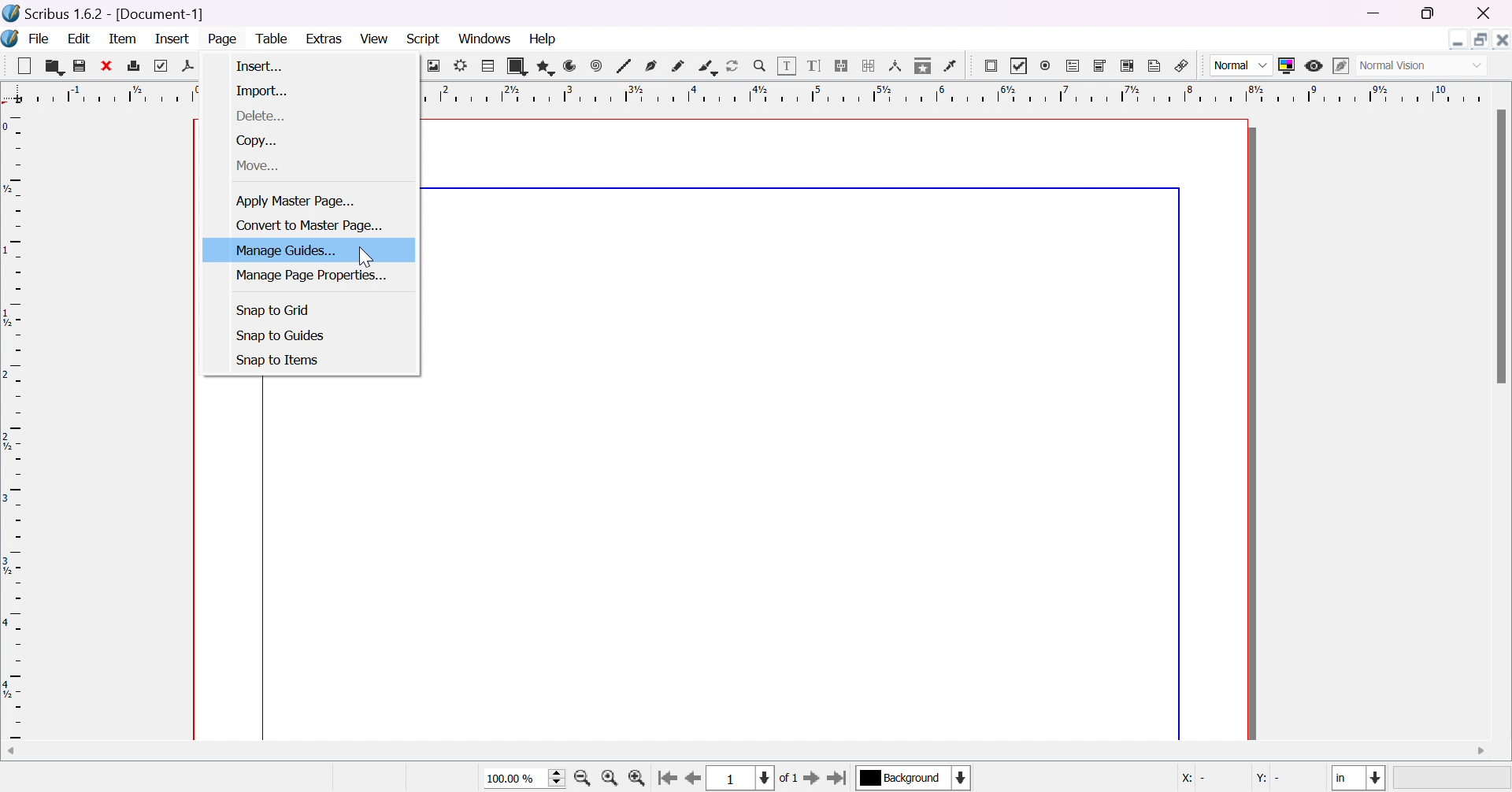 This screenshot has height=792, width=1512. Describe the element at coordinates (1503, 246) in the screenshot. I see `scroll bar` at that location.